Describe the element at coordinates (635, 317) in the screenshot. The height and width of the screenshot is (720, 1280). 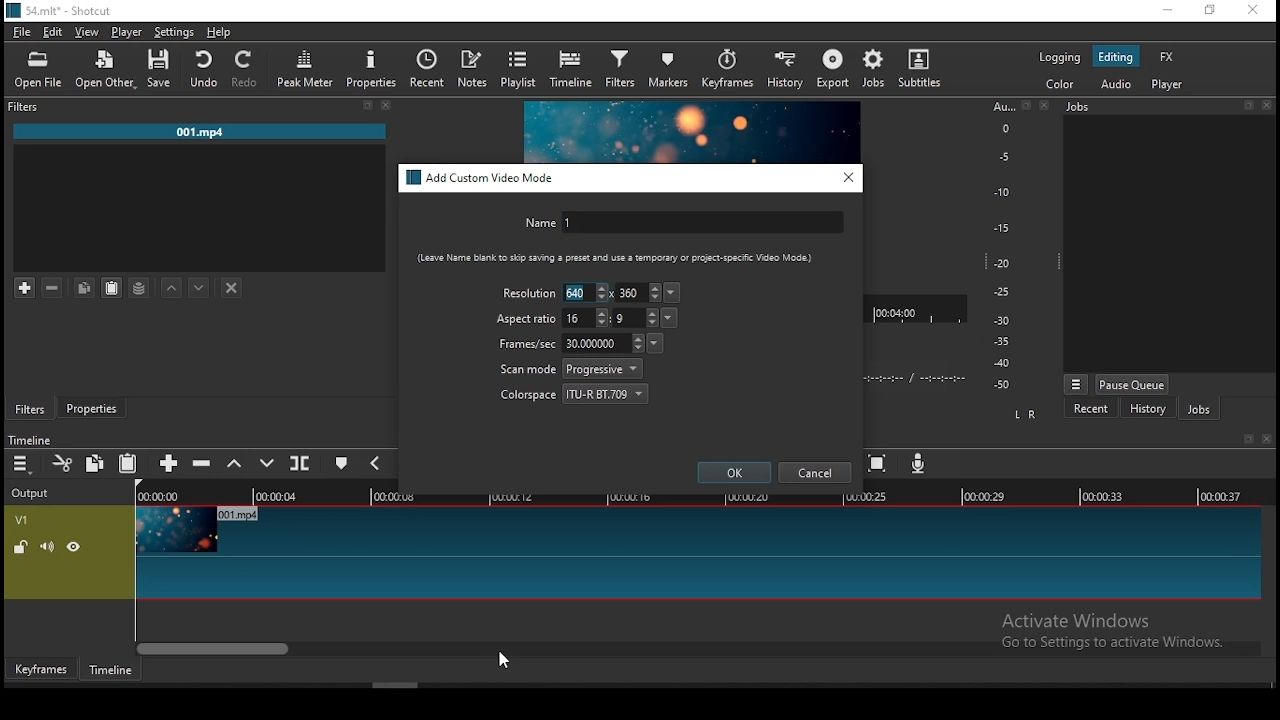
I see `height` at that location.